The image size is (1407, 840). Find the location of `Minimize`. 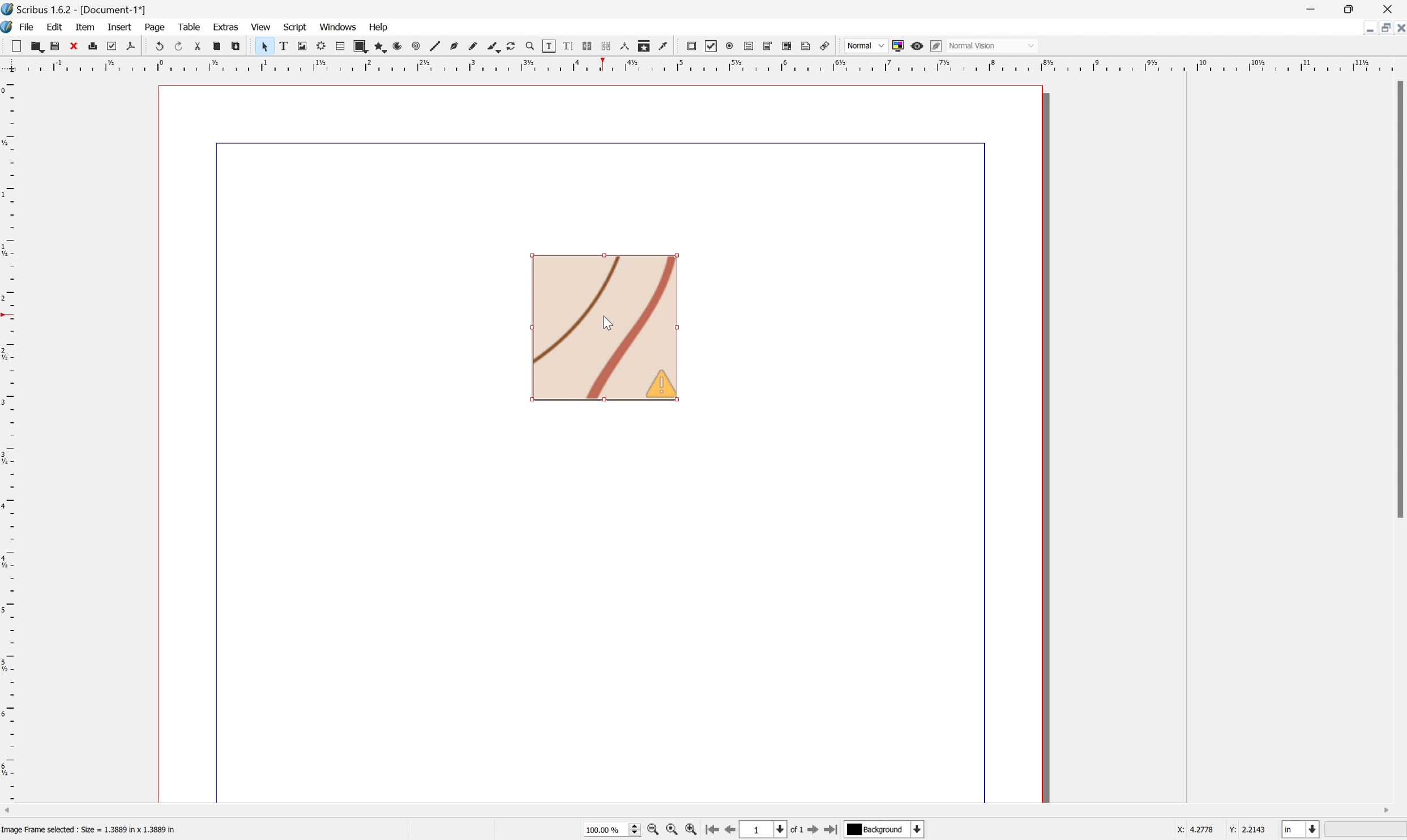

Minimize is located at coordinates (1386, 29).